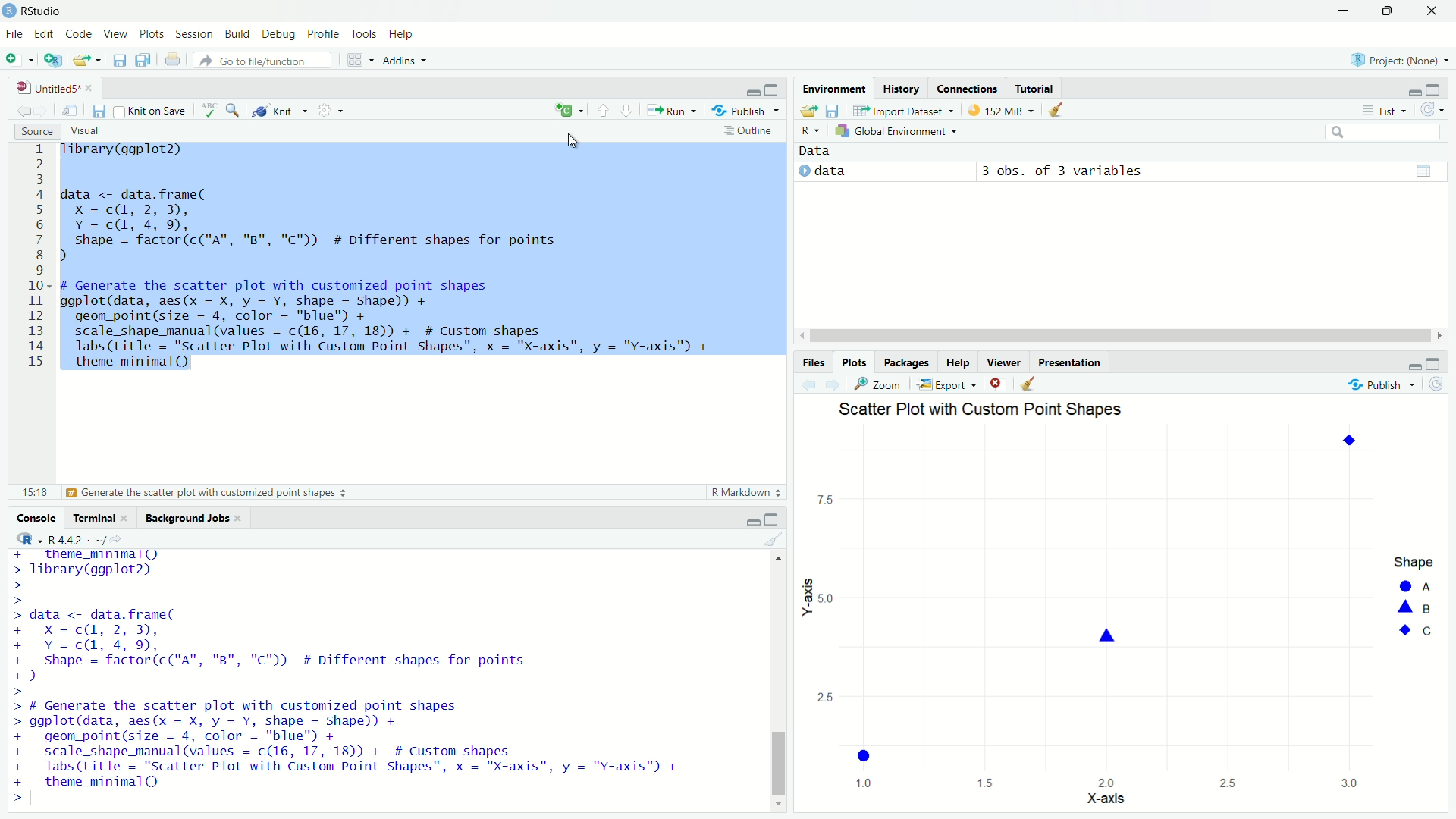 This screenshot has width=1456, height=819. What do you see at coordinates (71, 110) in the screenshot?
I see `Show in new window` at bounding box center [71, 110].